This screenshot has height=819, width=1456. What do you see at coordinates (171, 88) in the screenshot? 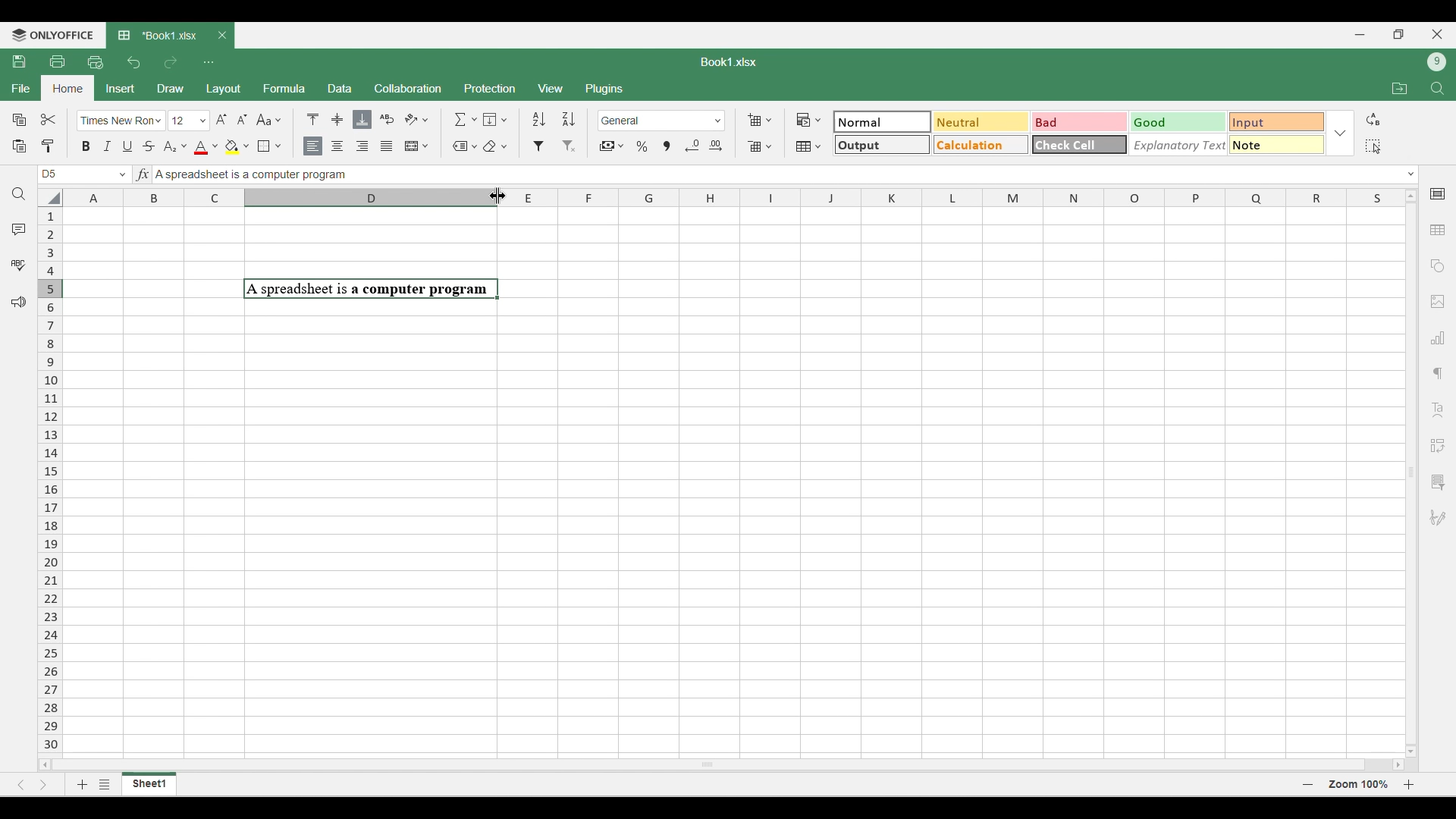
I see `Draw menu` at bounding box center [171, 88].